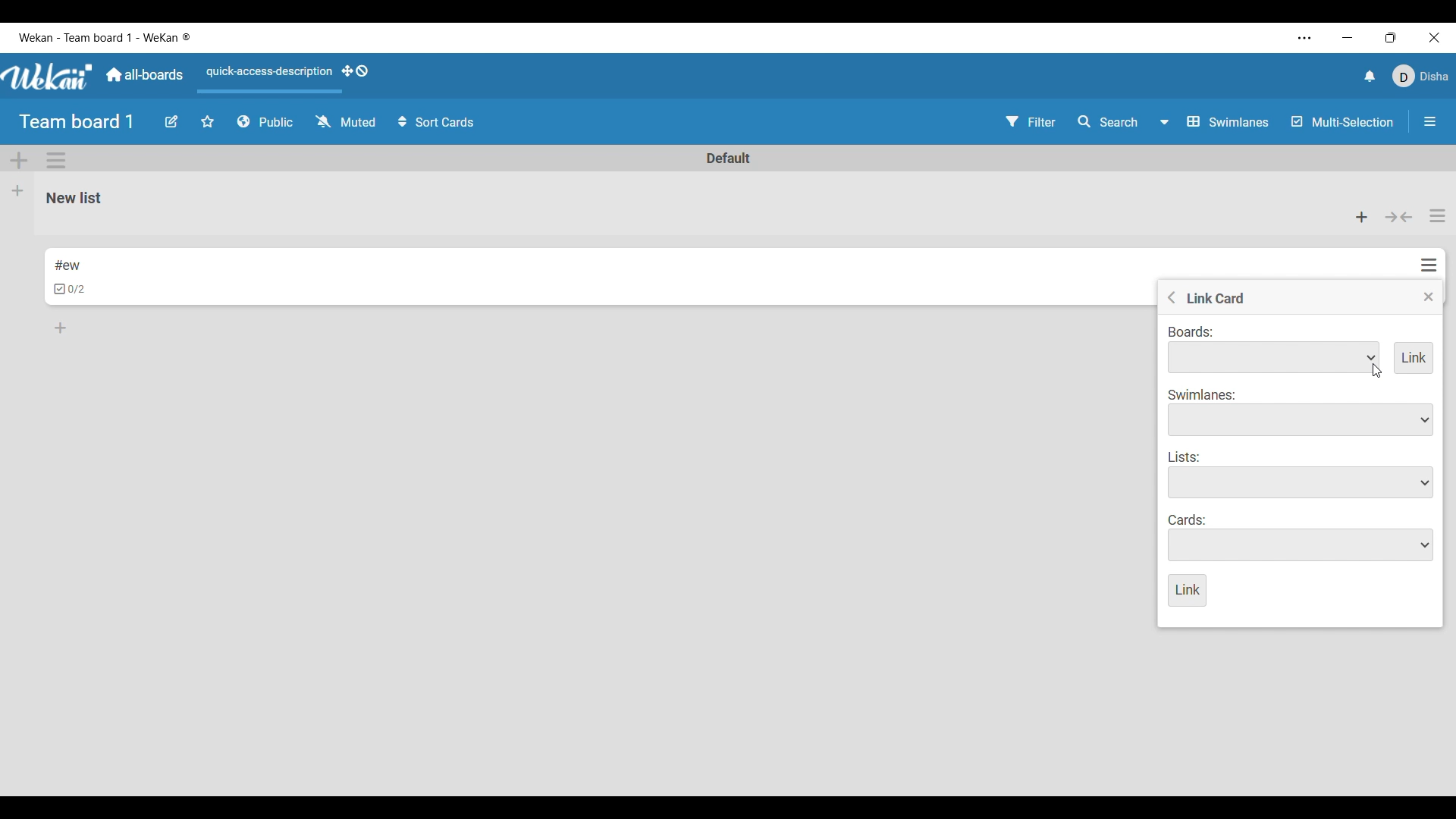 The height and width of the screenshot is (819, 1456). What do you see at coordinates (55, 160) in the screenshot?
I see `Swimlane action` at bounding box center [55, 160].